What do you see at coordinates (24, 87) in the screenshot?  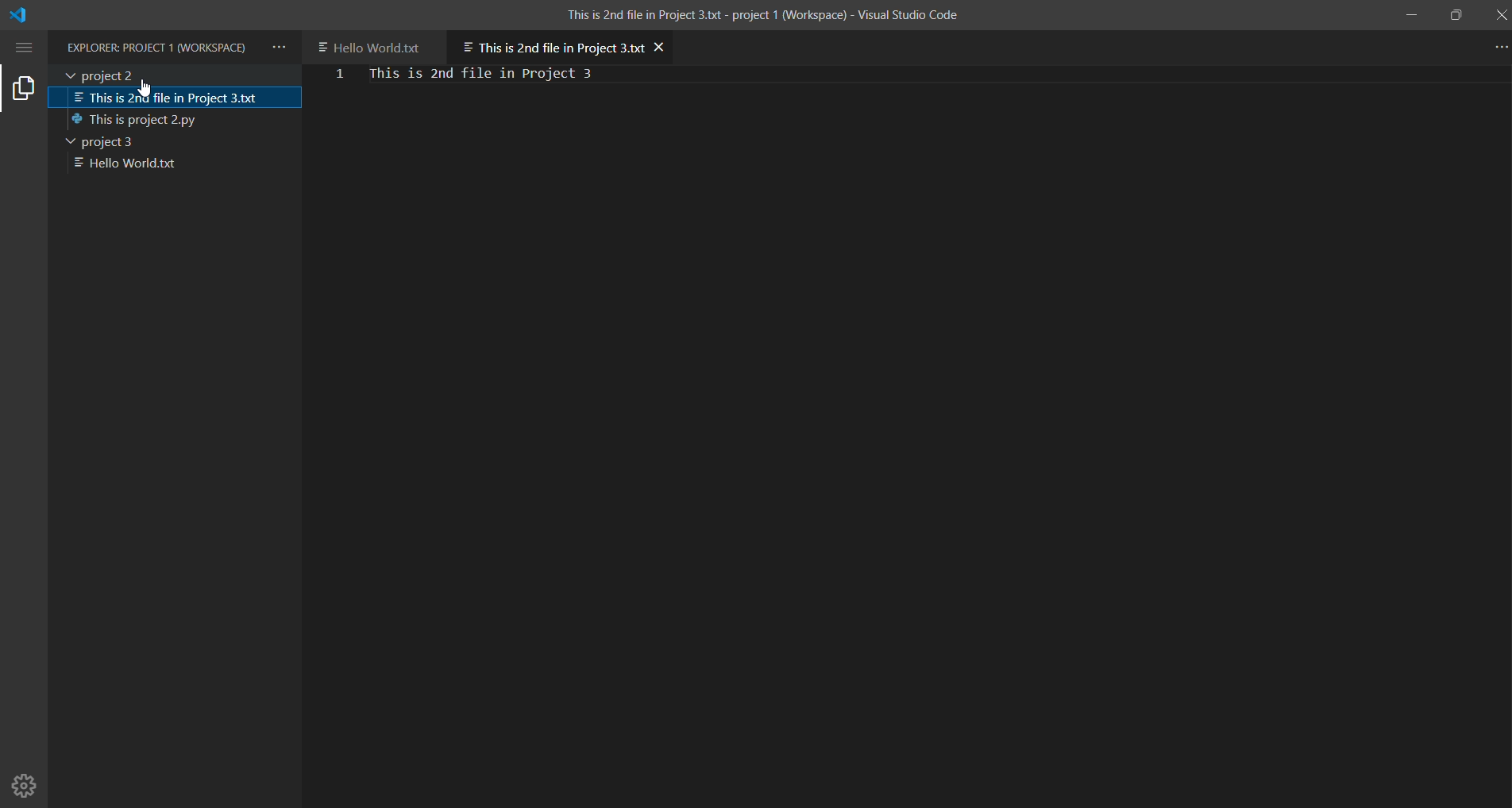 I see `explorer tab` at bounding box center [24, 87].